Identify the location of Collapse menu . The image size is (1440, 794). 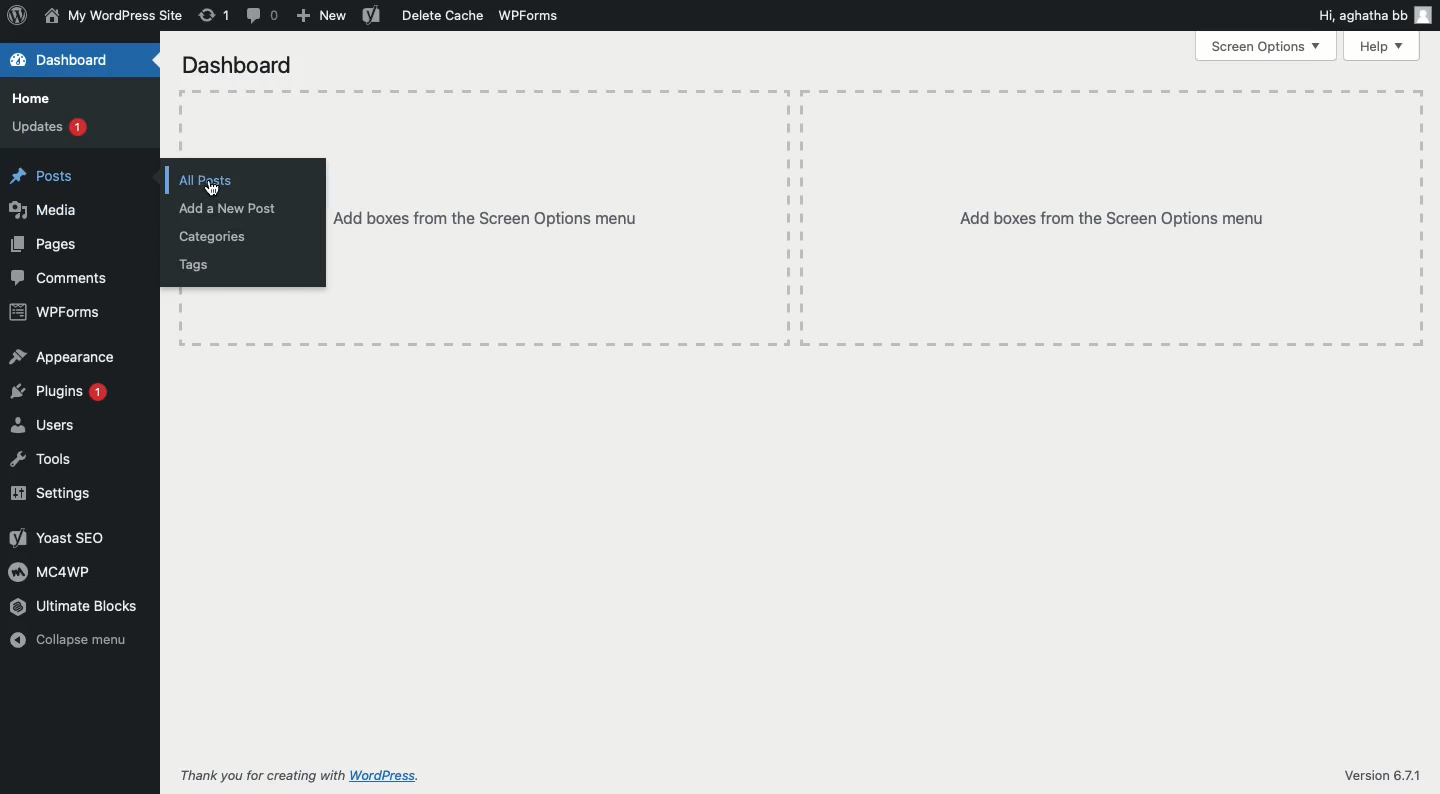
(82, 642).